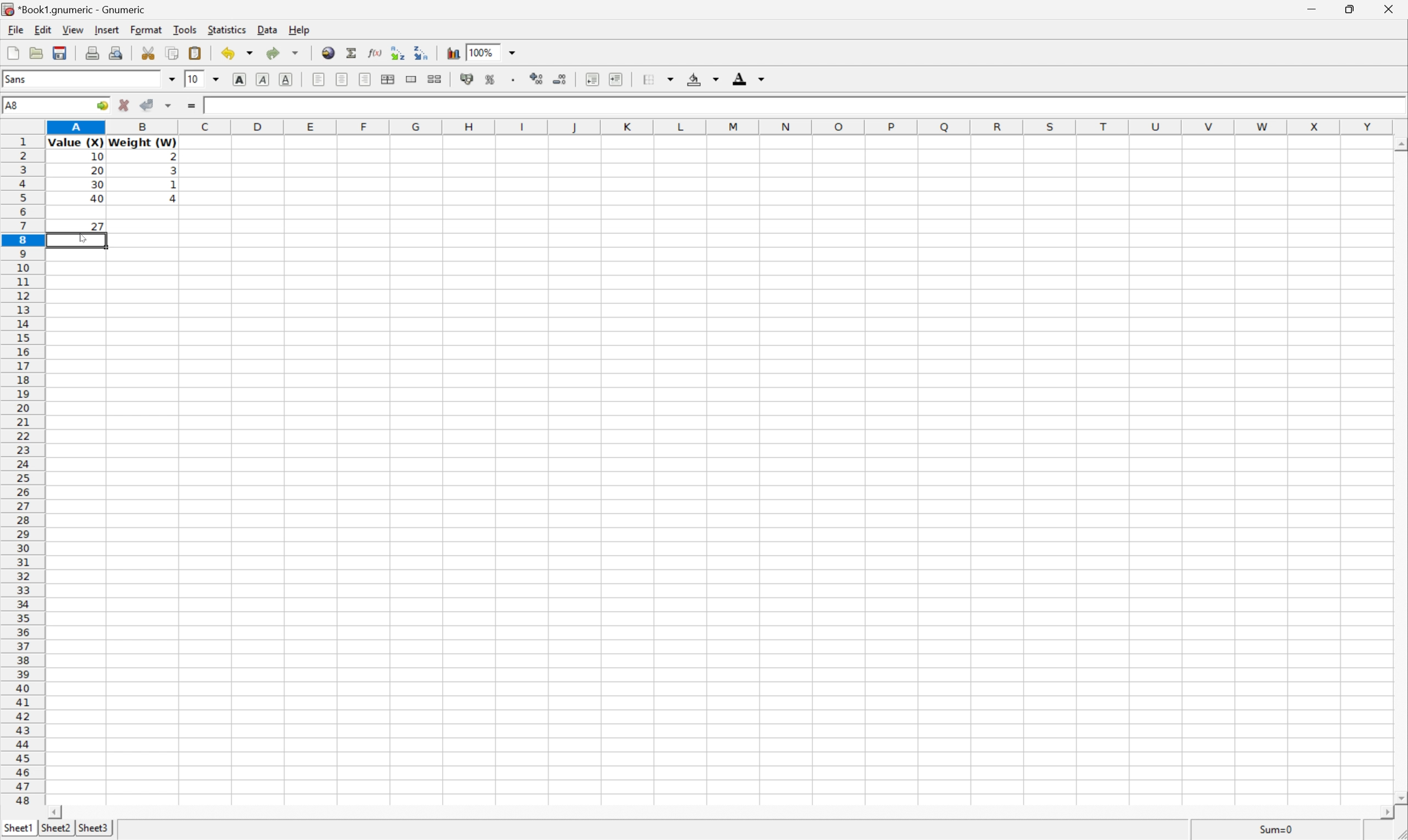 The image size is (1408, 840). What do you see at coordinates (267, 30) in the screenshot?
I see `Data` at bounding box center [267, 30].